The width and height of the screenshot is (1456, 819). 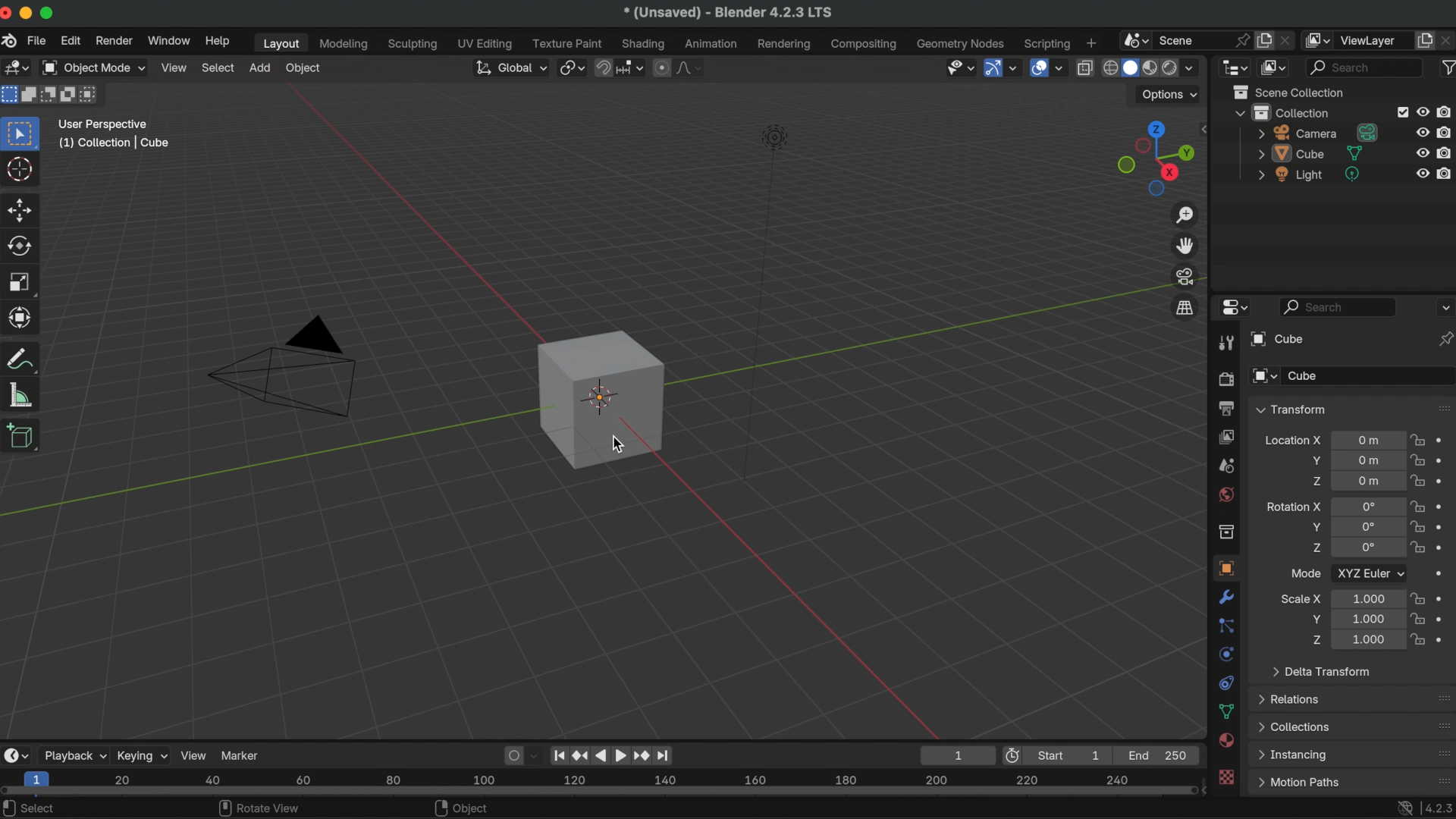 I want to click on object, so click(x=305, y=69).